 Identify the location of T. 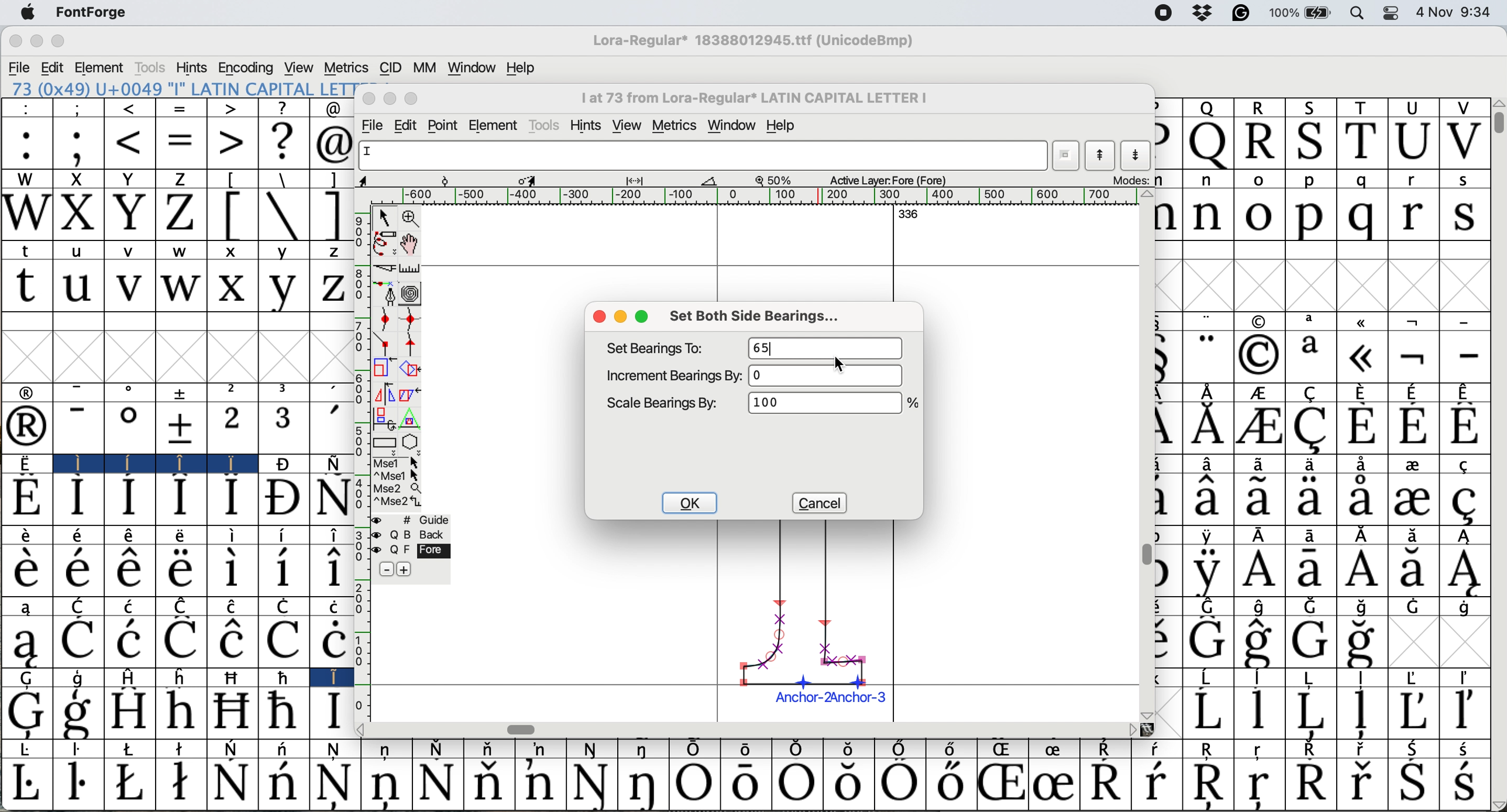
(1363, 142).